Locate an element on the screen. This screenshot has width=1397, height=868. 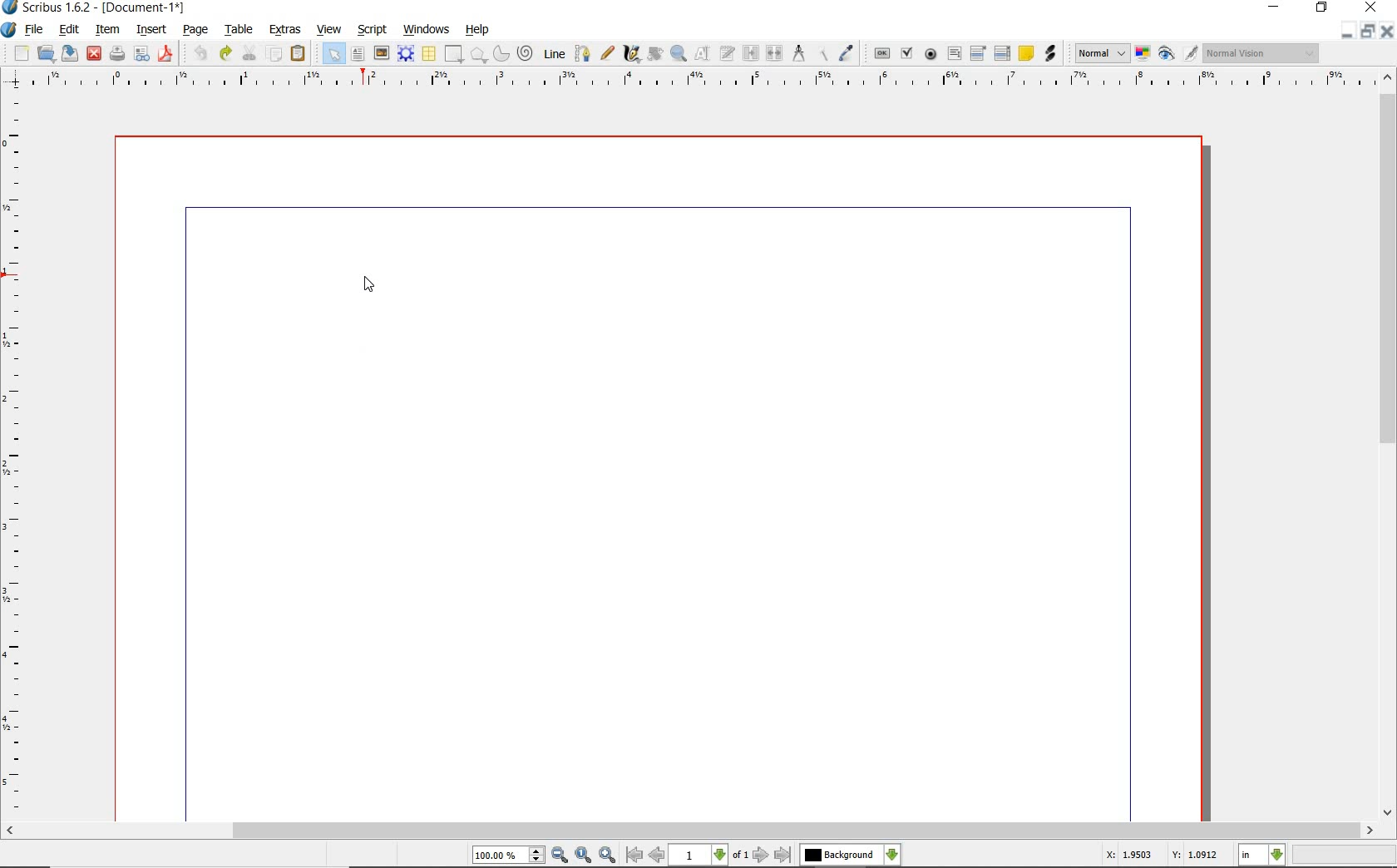
file is located at coordinates (35, 31).